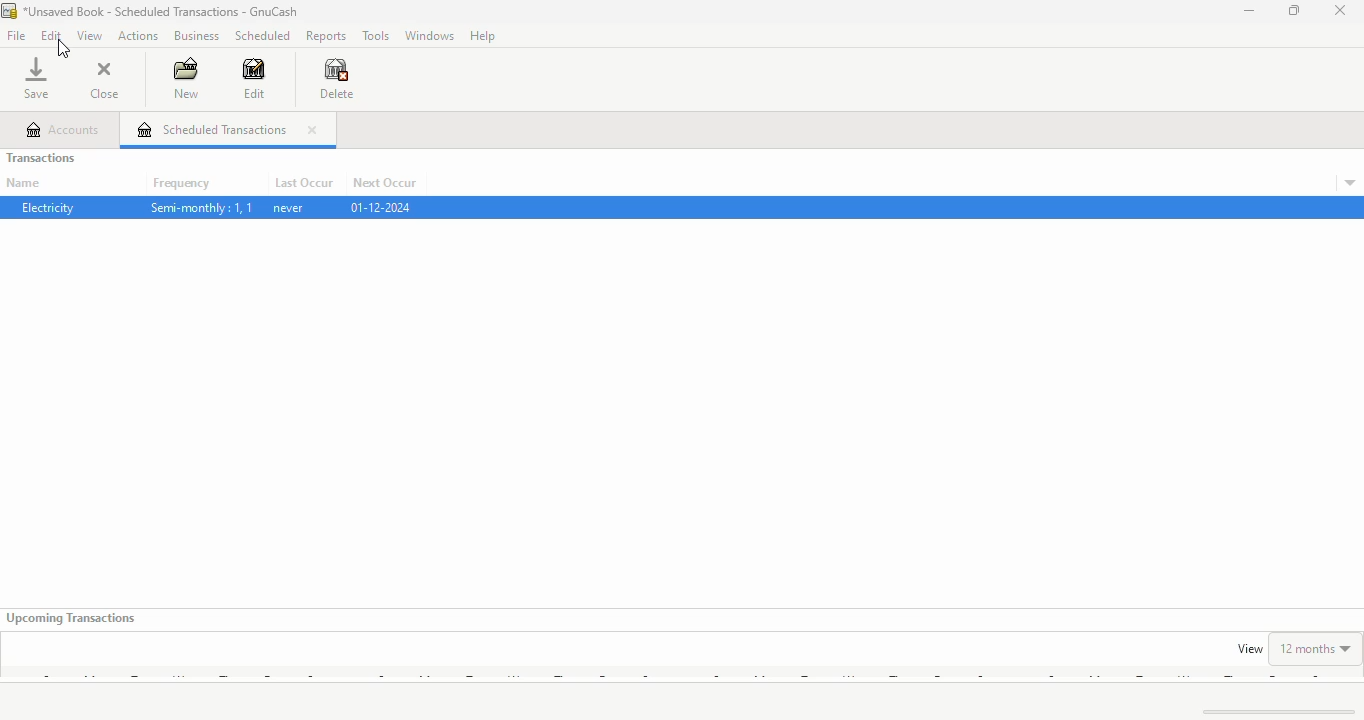 This screenshot has width=1364, height=720. What do you see at coordinates (201, 208) in the screenshot?
I see `semi-monthly: 1, 1` at bounding box center [201, 208].